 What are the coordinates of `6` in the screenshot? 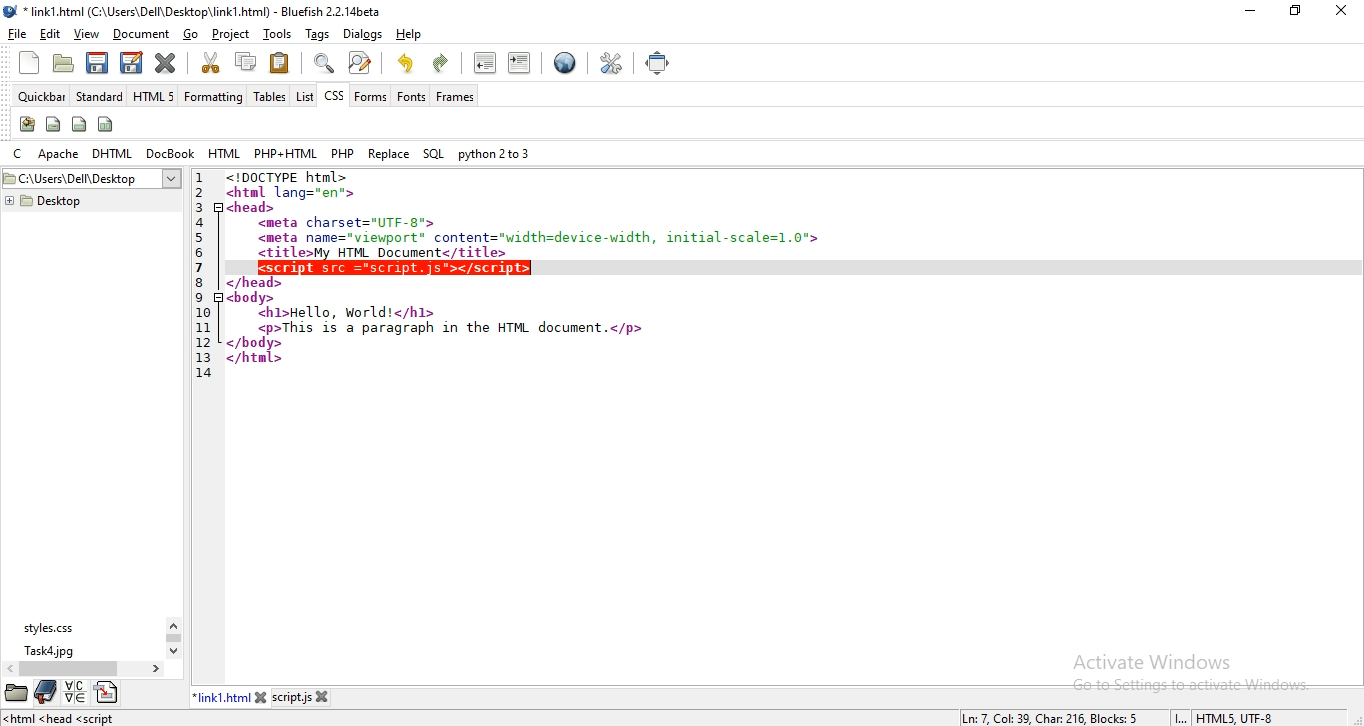 It's located at (199, 253).